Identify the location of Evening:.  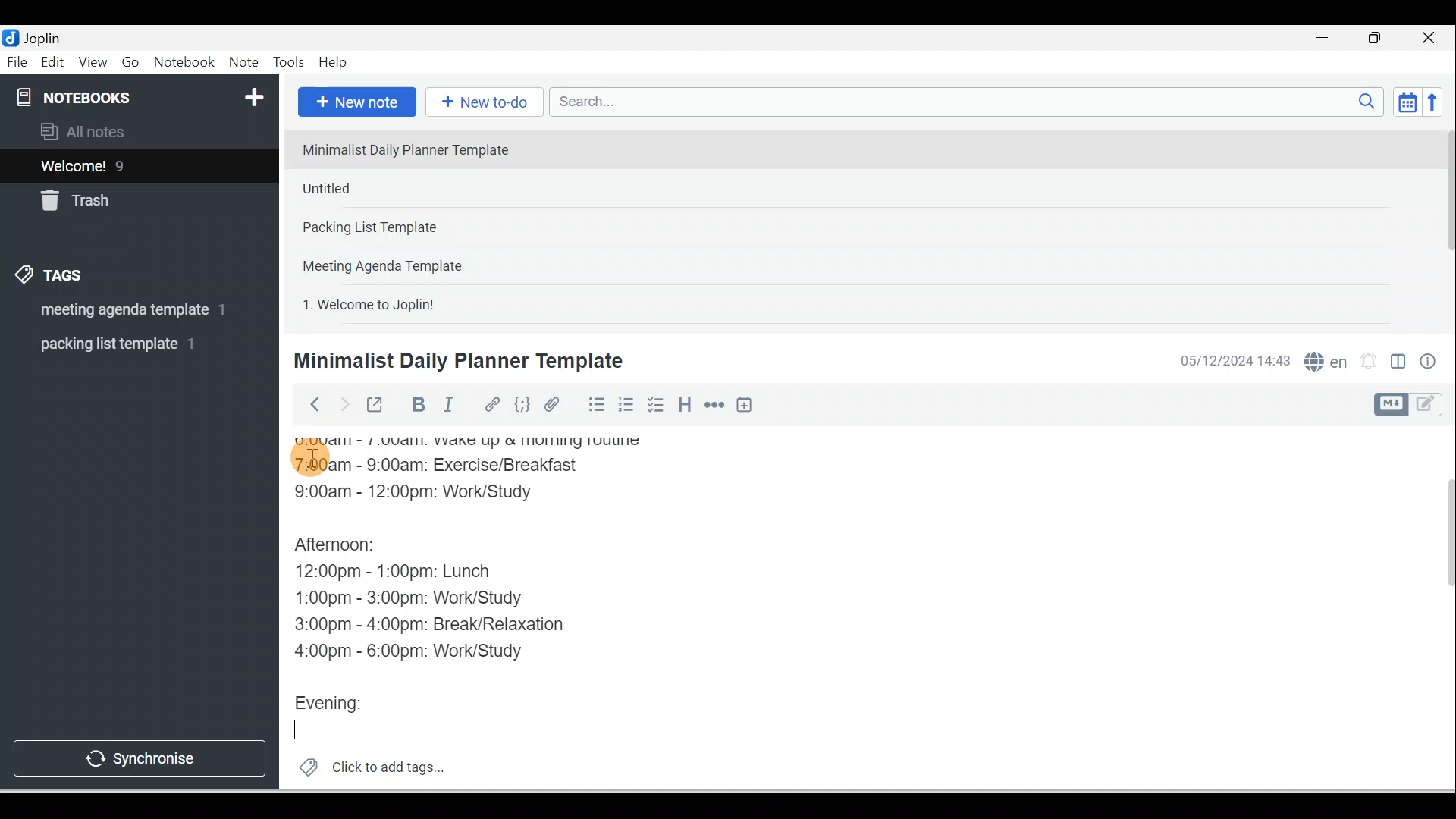
(339, 706).